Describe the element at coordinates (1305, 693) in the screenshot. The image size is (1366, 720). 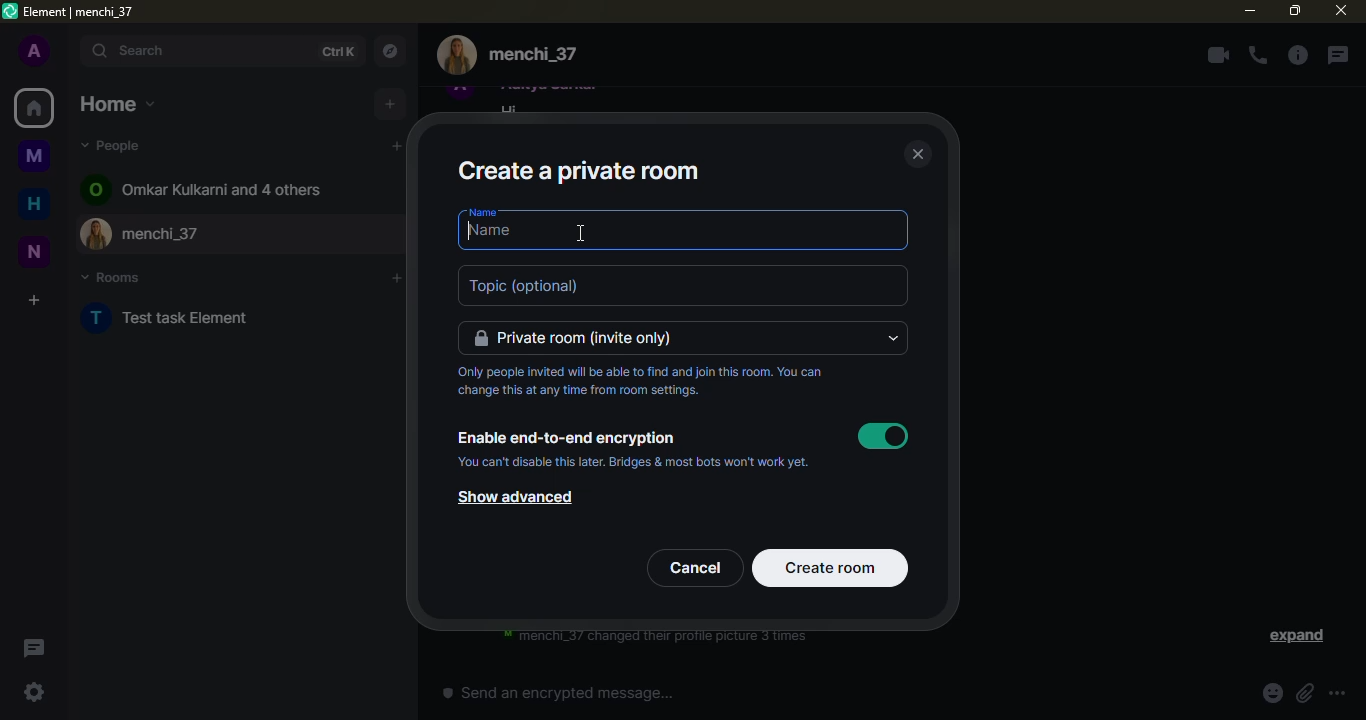
I see `attach file` at that location.